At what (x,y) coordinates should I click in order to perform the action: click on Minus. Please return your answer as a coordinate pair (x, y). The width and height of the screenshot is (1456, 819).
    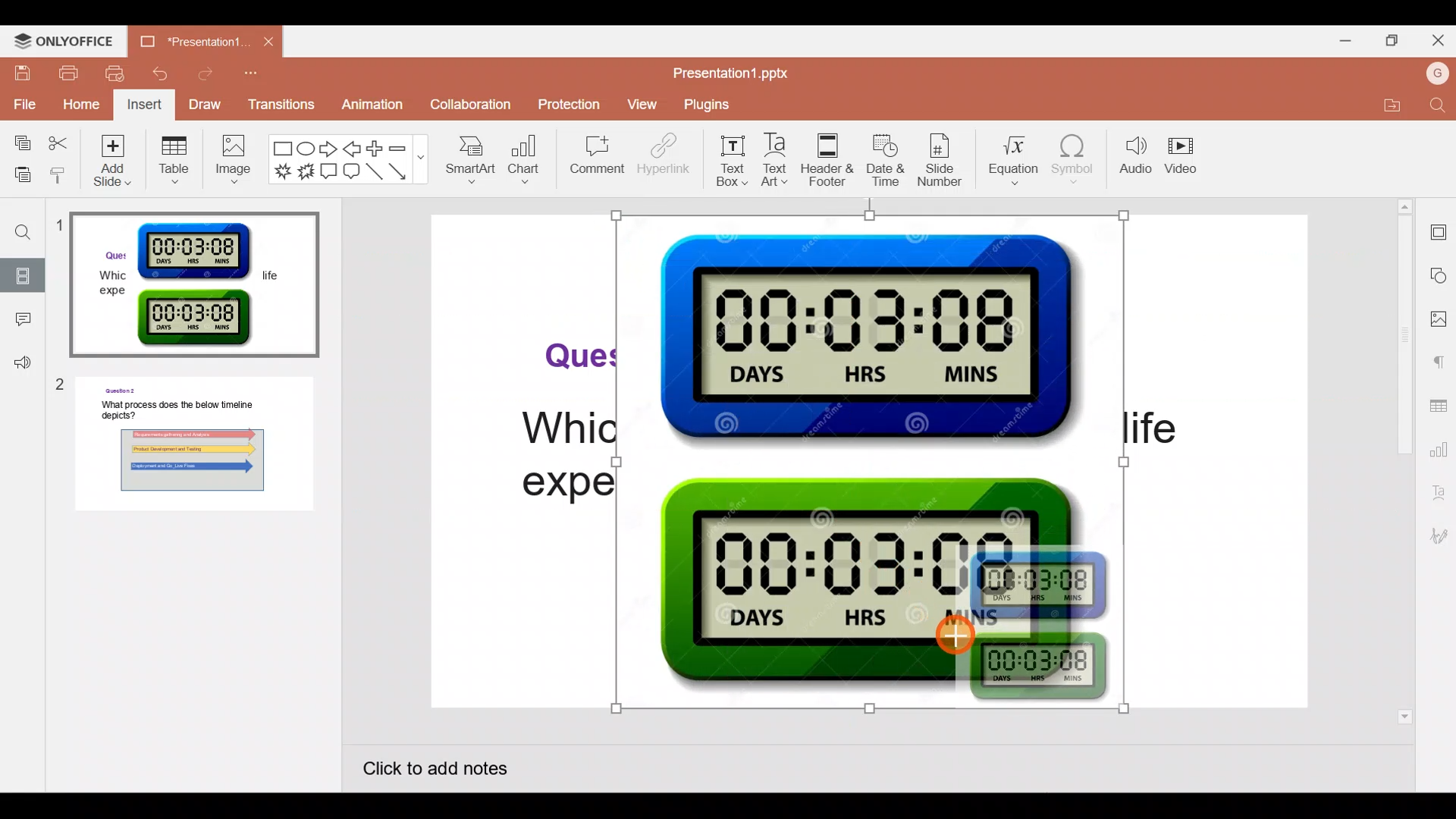
    Looking at the image, I should click on (406, 146).